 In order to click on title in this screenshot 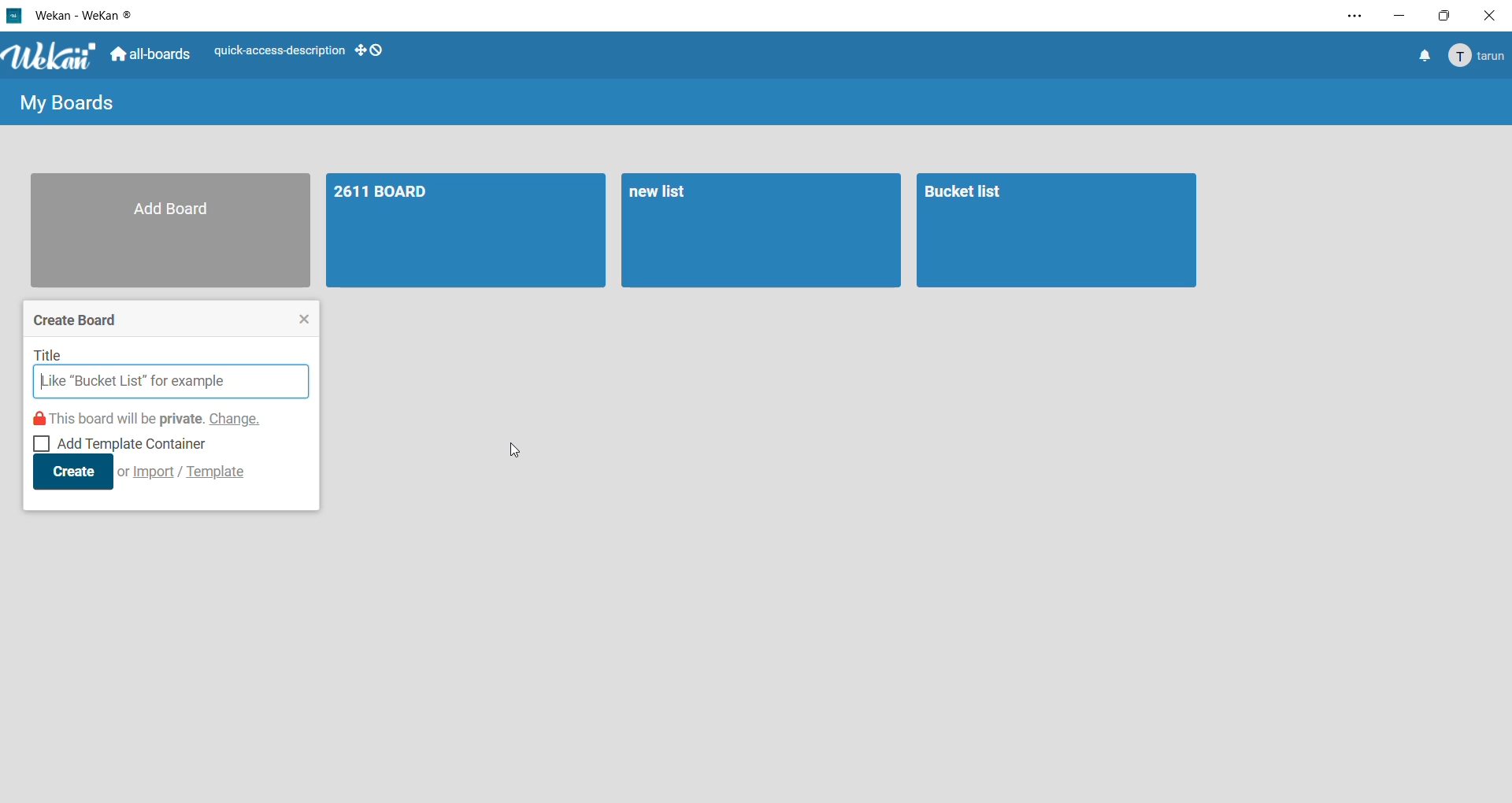, I will do `click(165, 357)`.